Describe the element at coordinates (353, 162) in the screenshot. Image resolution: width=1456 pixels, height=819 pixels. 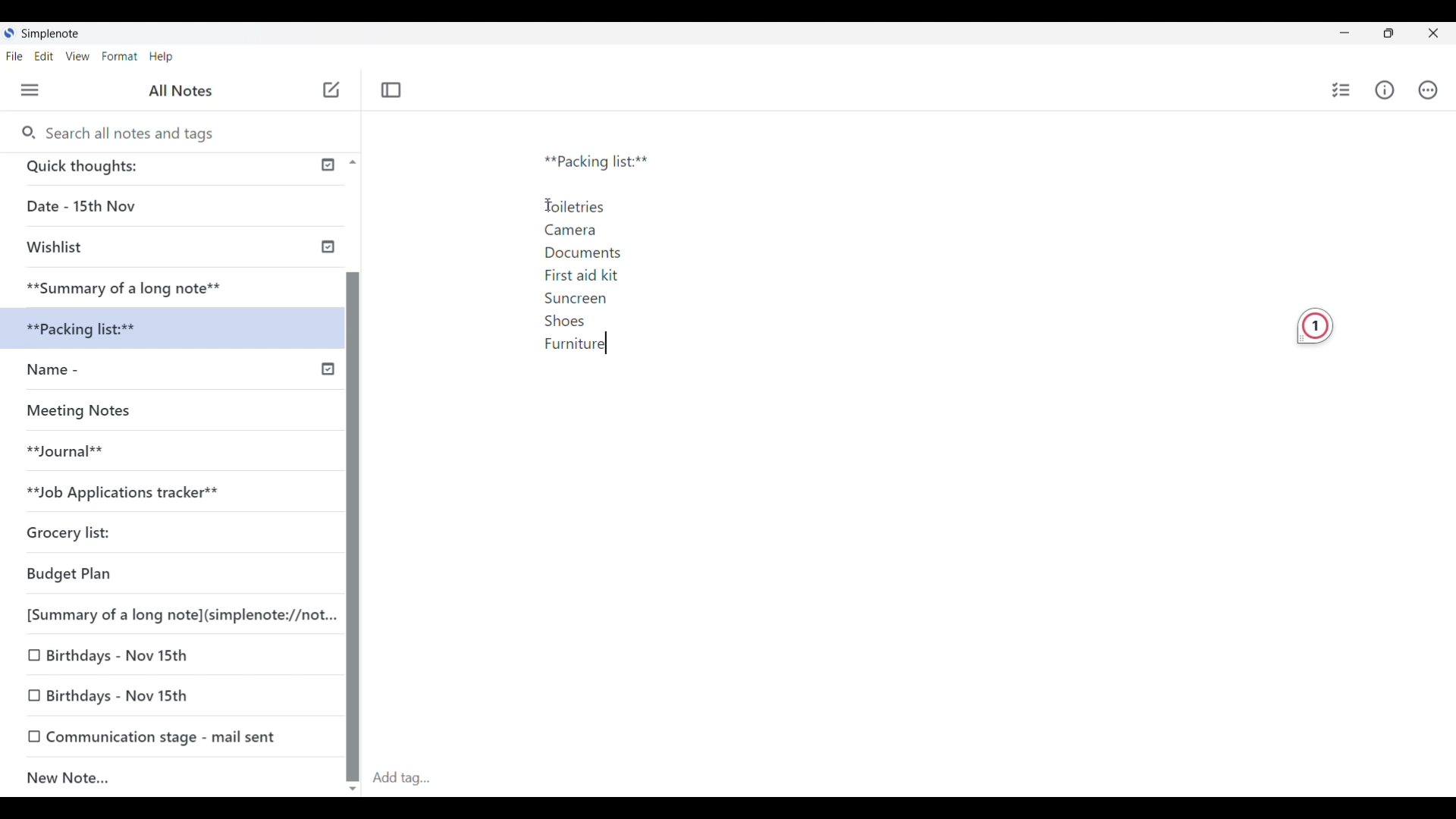
I see `Quick slide to top` at that location.